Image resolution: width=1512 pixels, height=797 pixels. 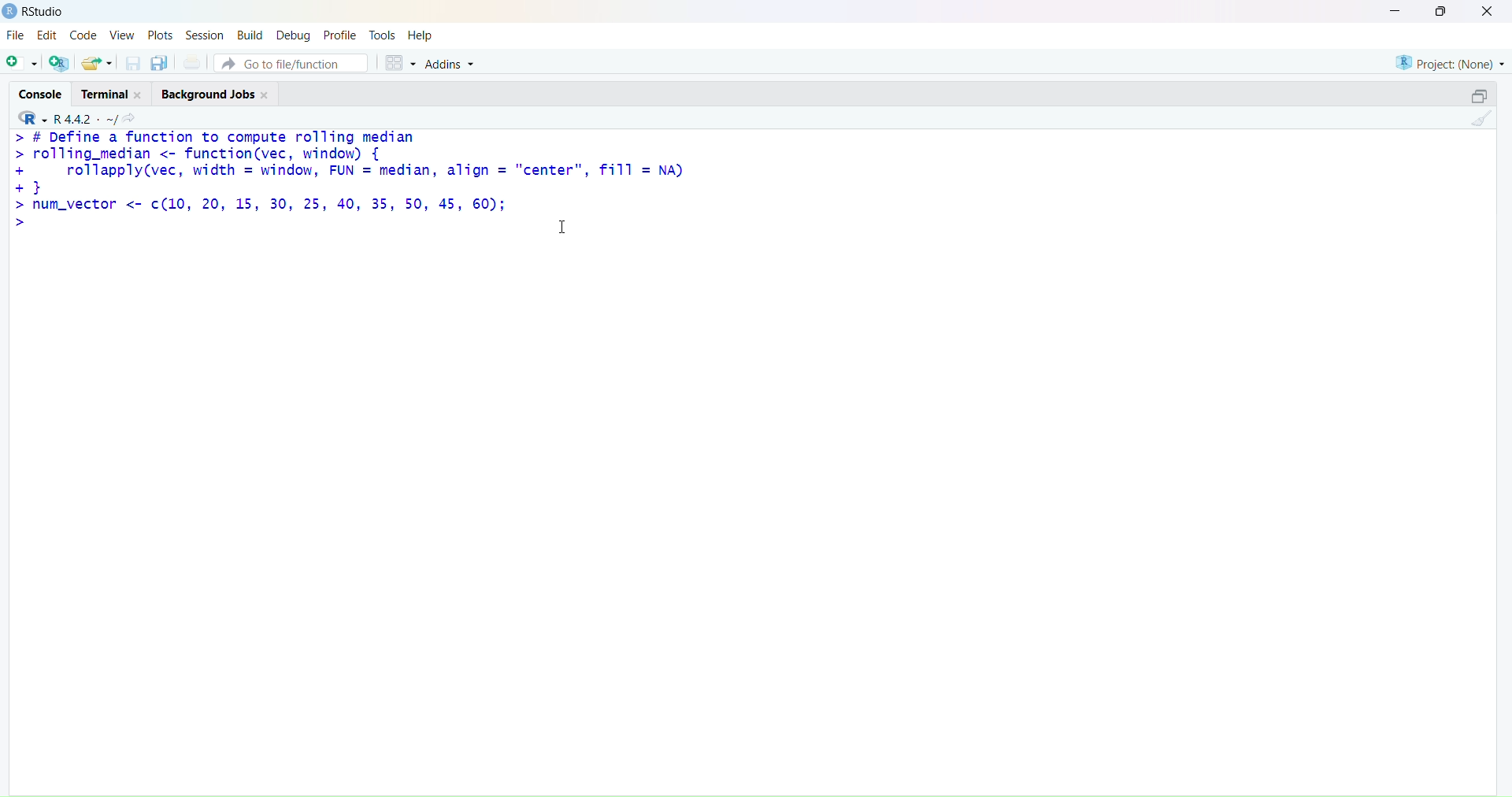 I want to click on terminal, so click(x=104, y=95).